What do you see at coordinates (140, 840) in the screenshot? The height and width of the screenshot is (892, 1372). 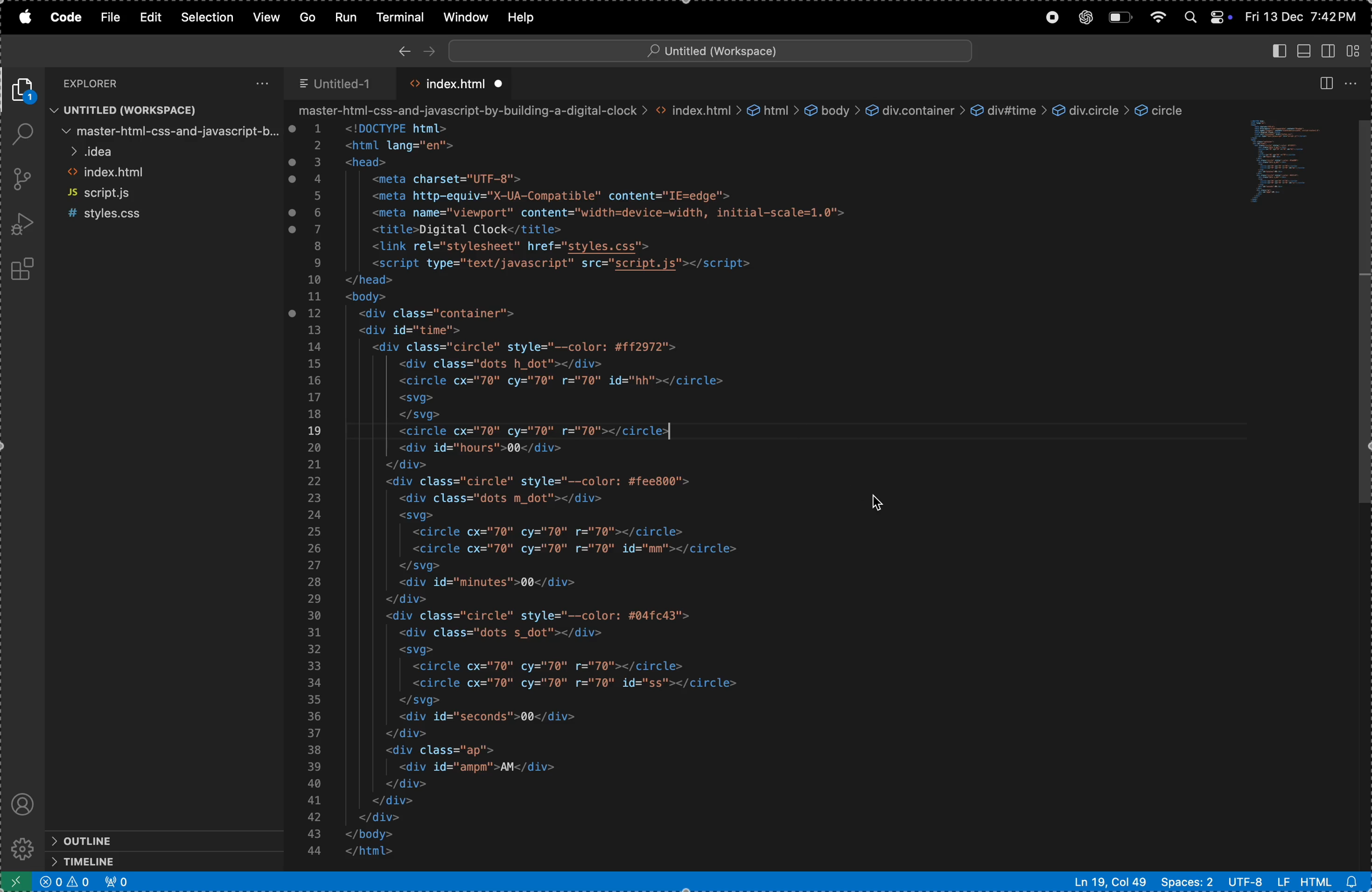 I see `outline` at bounding box center [140, 840].